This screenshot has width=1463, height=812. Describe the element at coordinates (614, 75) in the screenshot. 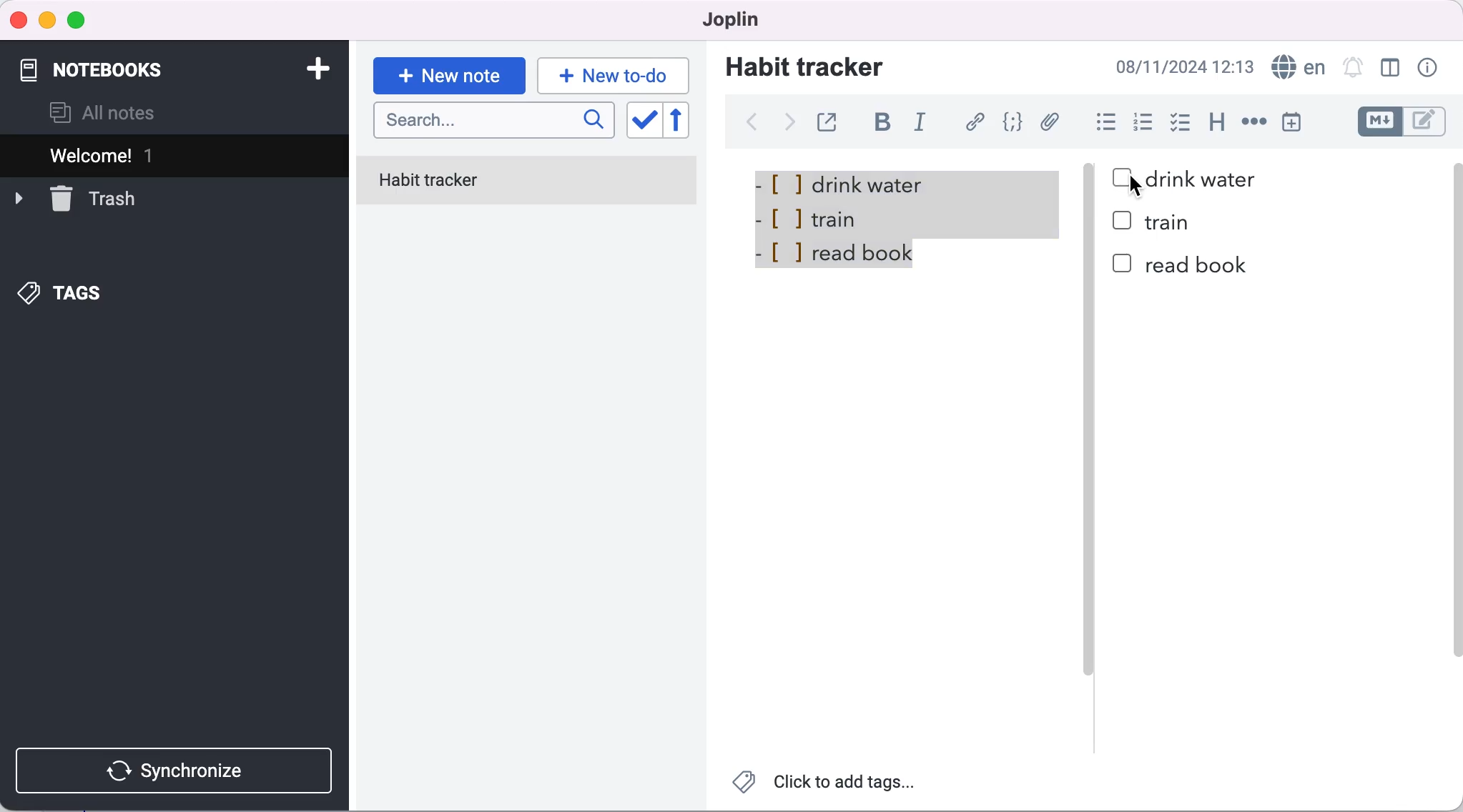

I see `typing` at that location.